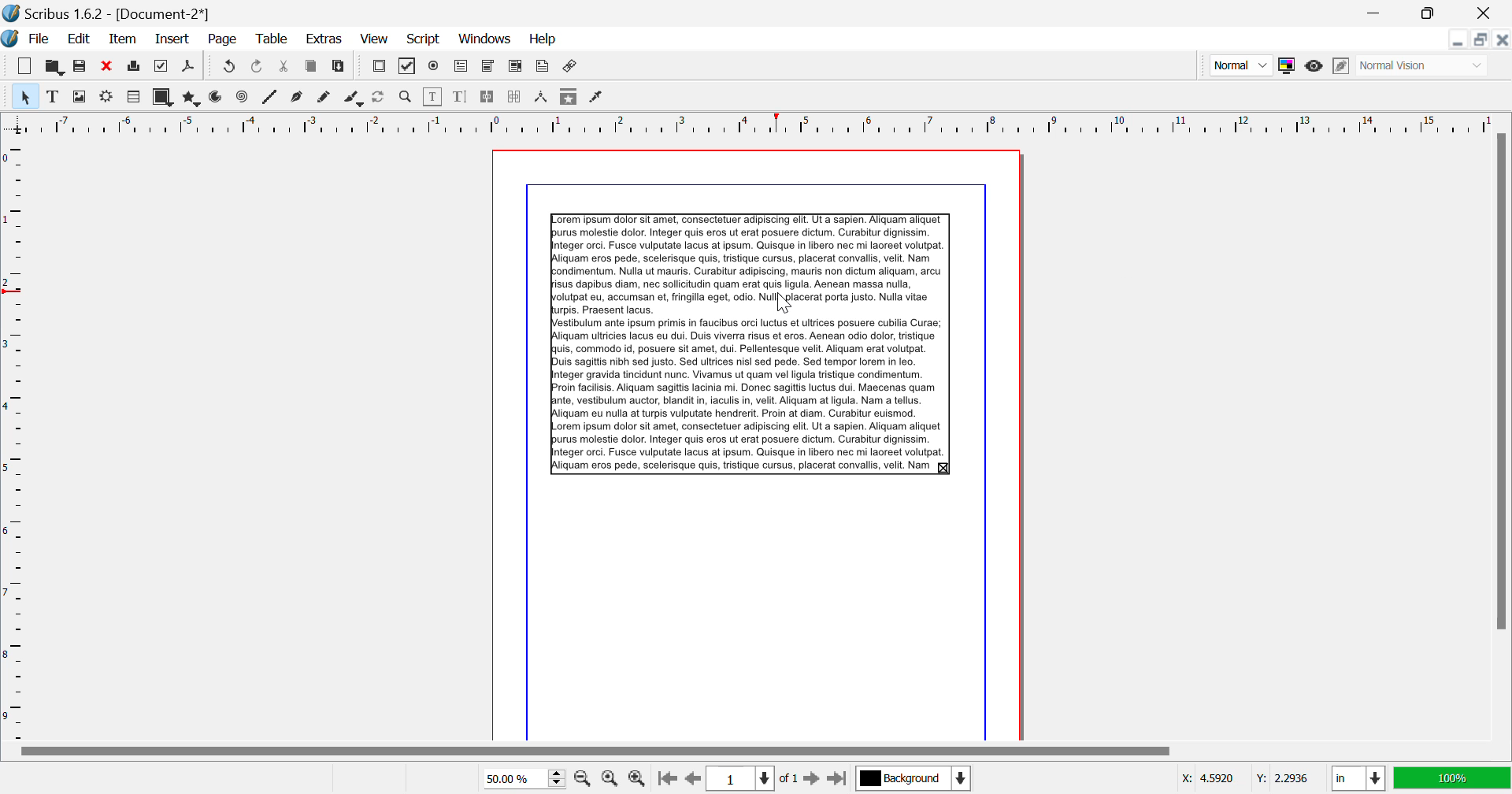  What do you see at coordinates (584, 777) in the screenshot?
I see `Zoom Out` at bounding box center [584, 777].